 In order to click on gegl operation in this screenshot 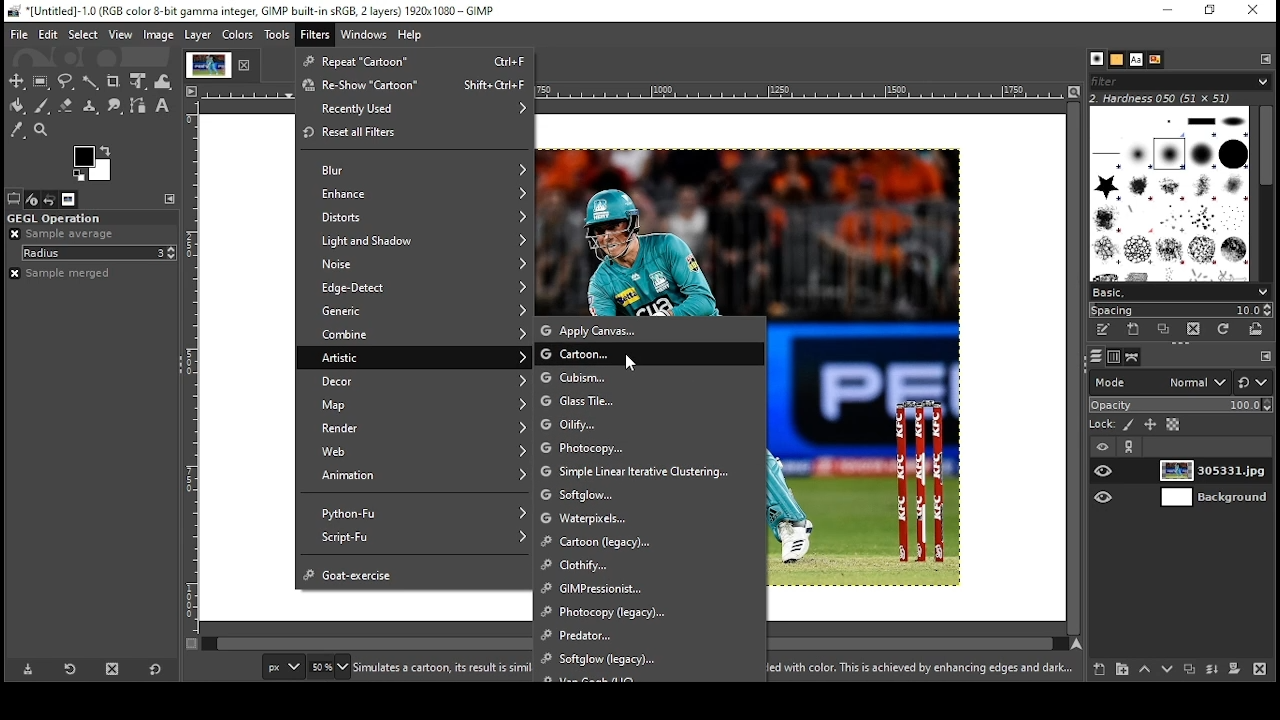, I will do `click(55, 218)`.